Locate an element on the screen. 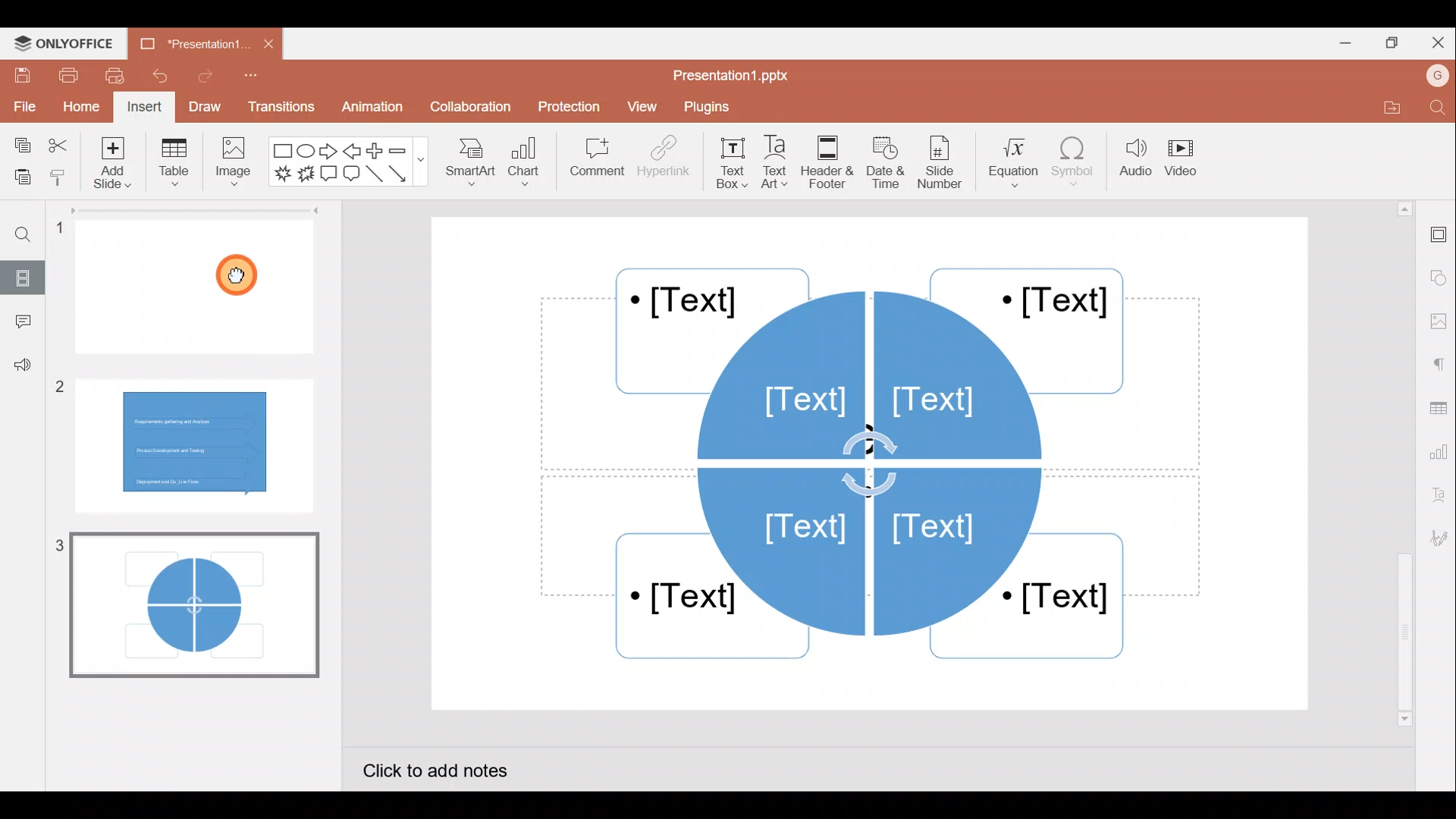 The width and height of the screenshot is (1456, 819). Copy style is located at coordinates (59, 177).